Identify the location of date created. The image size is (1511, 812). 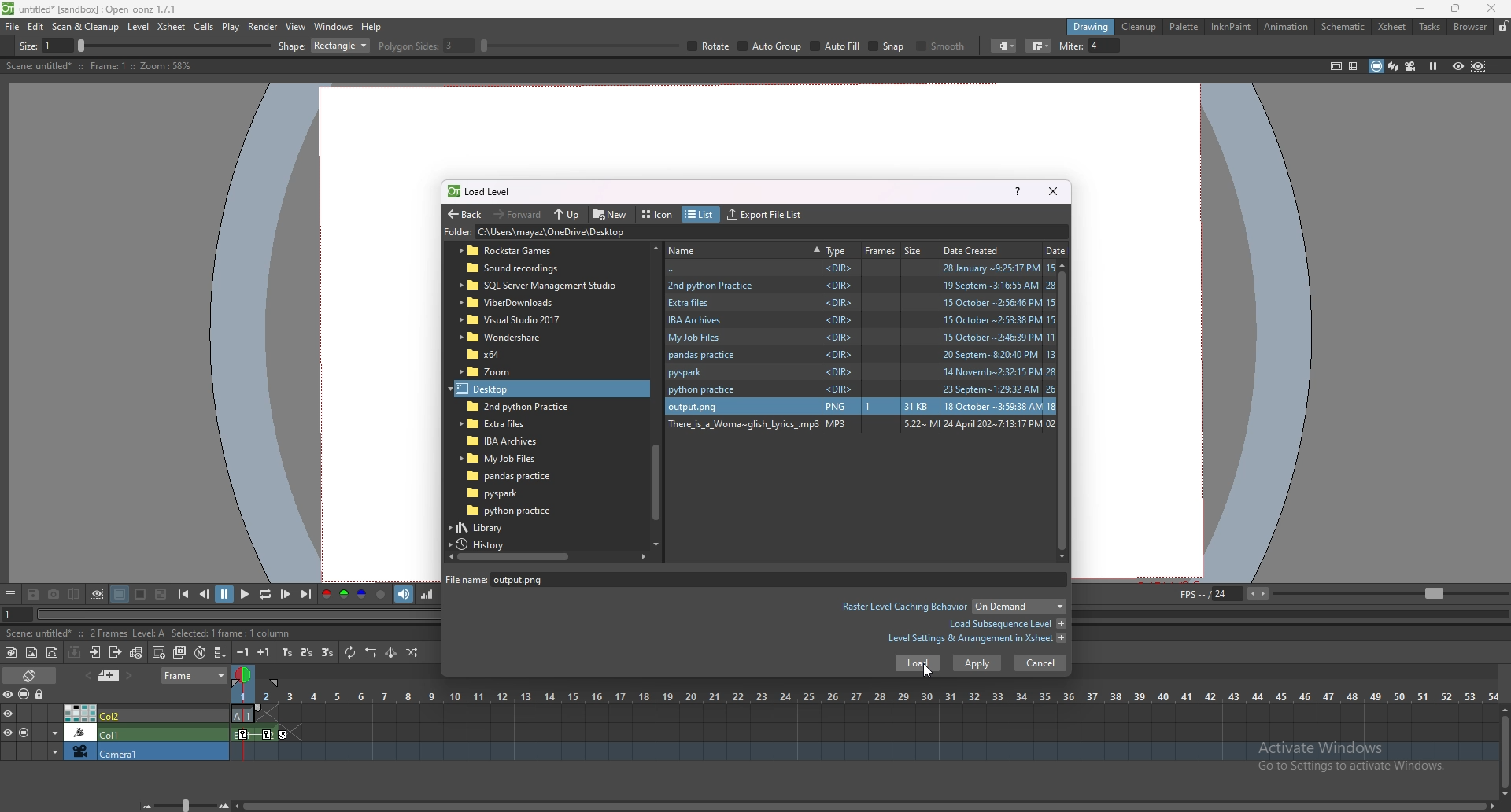
(977, 249).